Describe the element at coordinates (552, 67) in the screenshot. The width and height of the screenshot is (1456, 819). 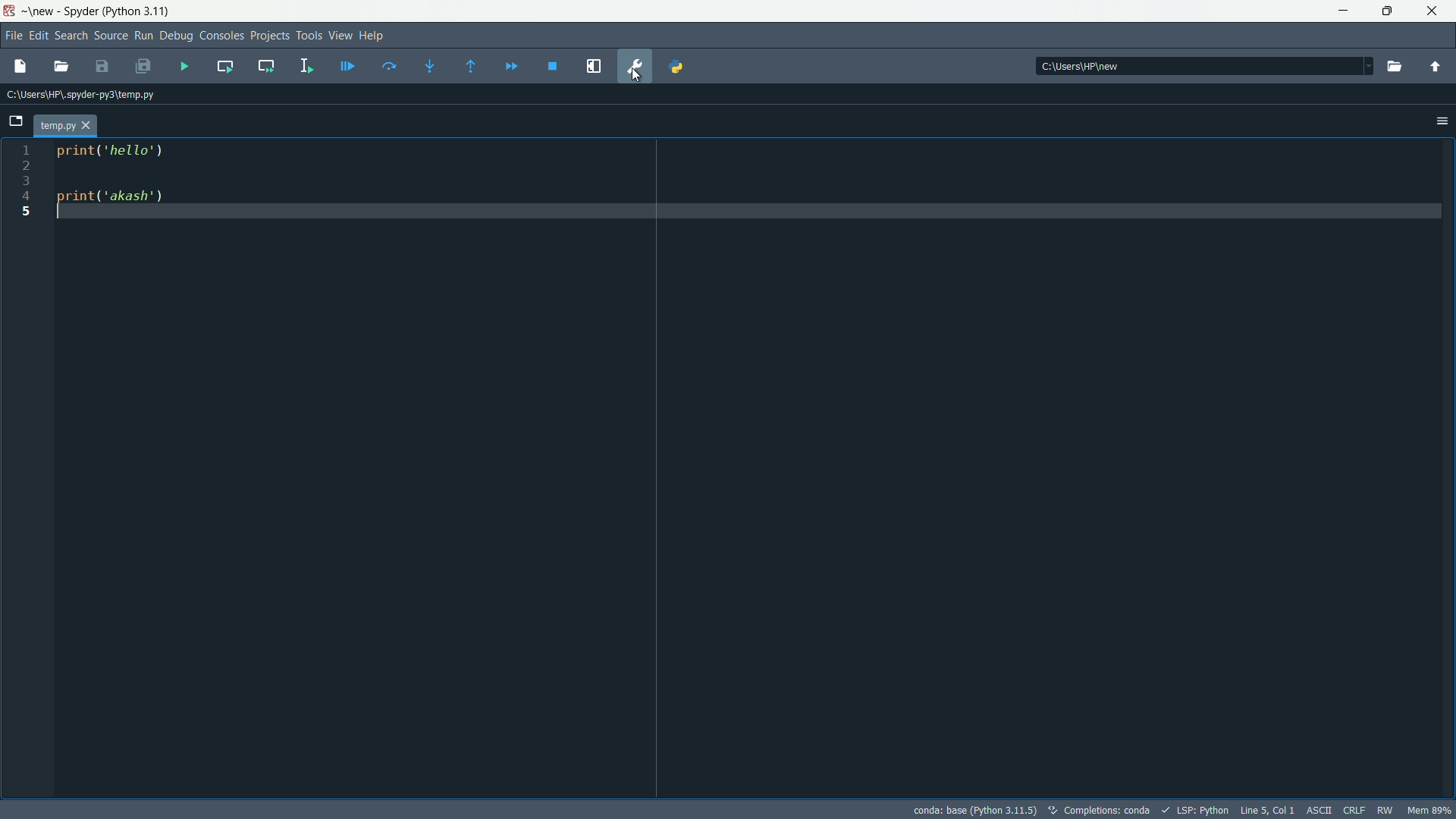
I see `stop debugging` at that location.